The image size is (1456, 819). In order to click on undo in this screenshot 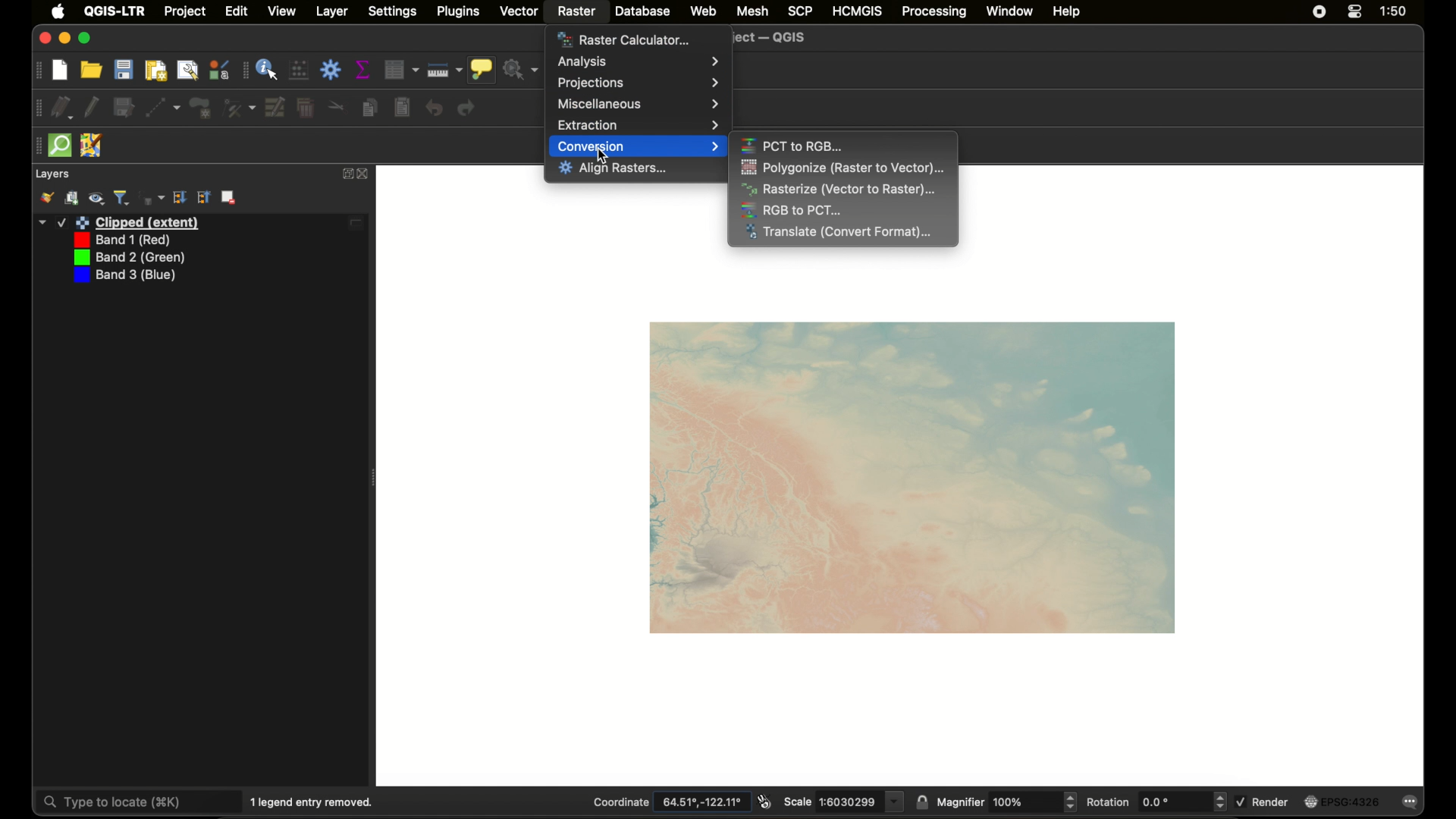, I will do `click(434, 108)`.